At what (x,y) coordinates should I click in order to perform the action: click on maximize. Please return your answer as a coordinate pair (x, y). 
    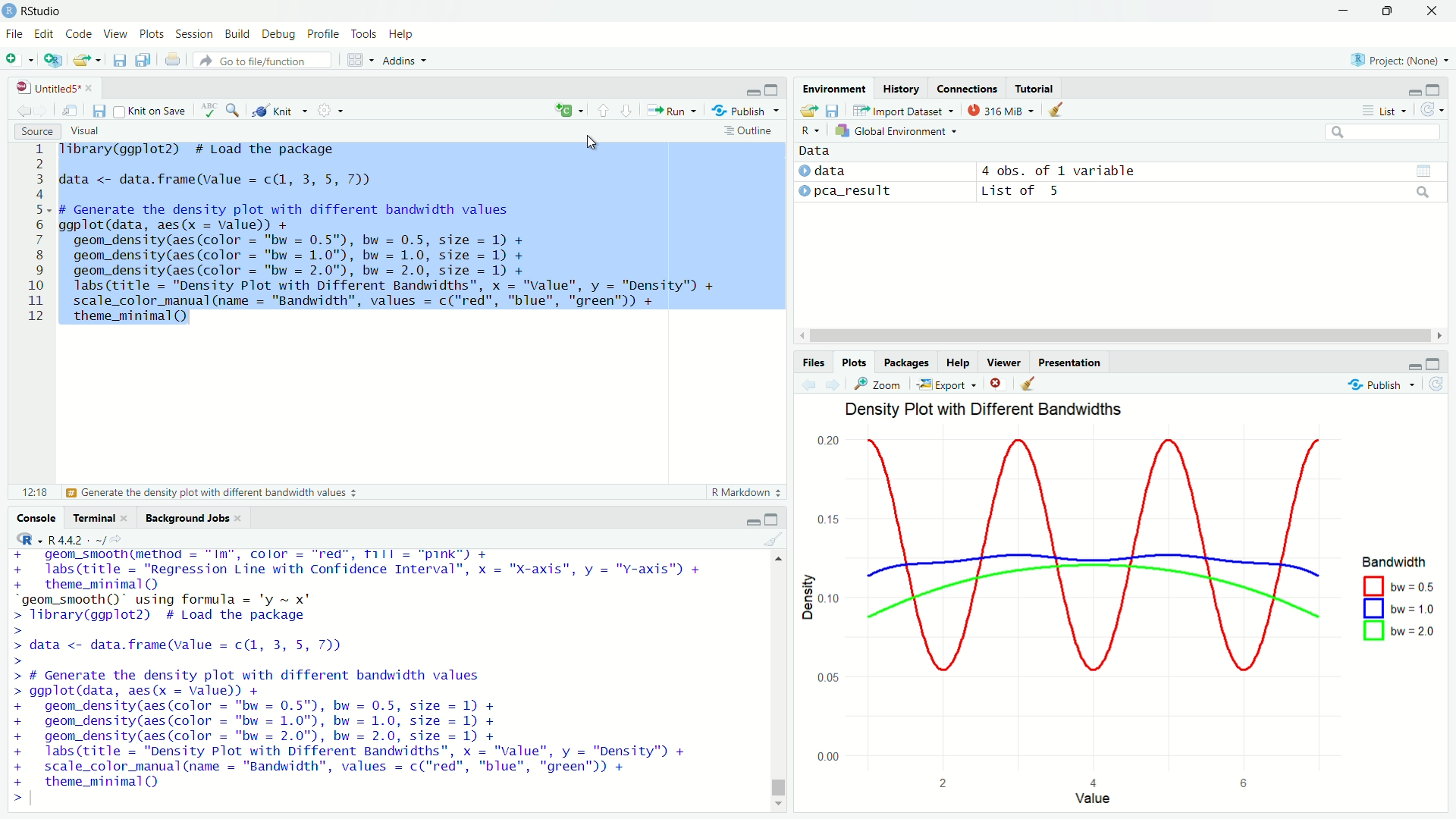
    Looking at the image, I should click on (1434, 363).